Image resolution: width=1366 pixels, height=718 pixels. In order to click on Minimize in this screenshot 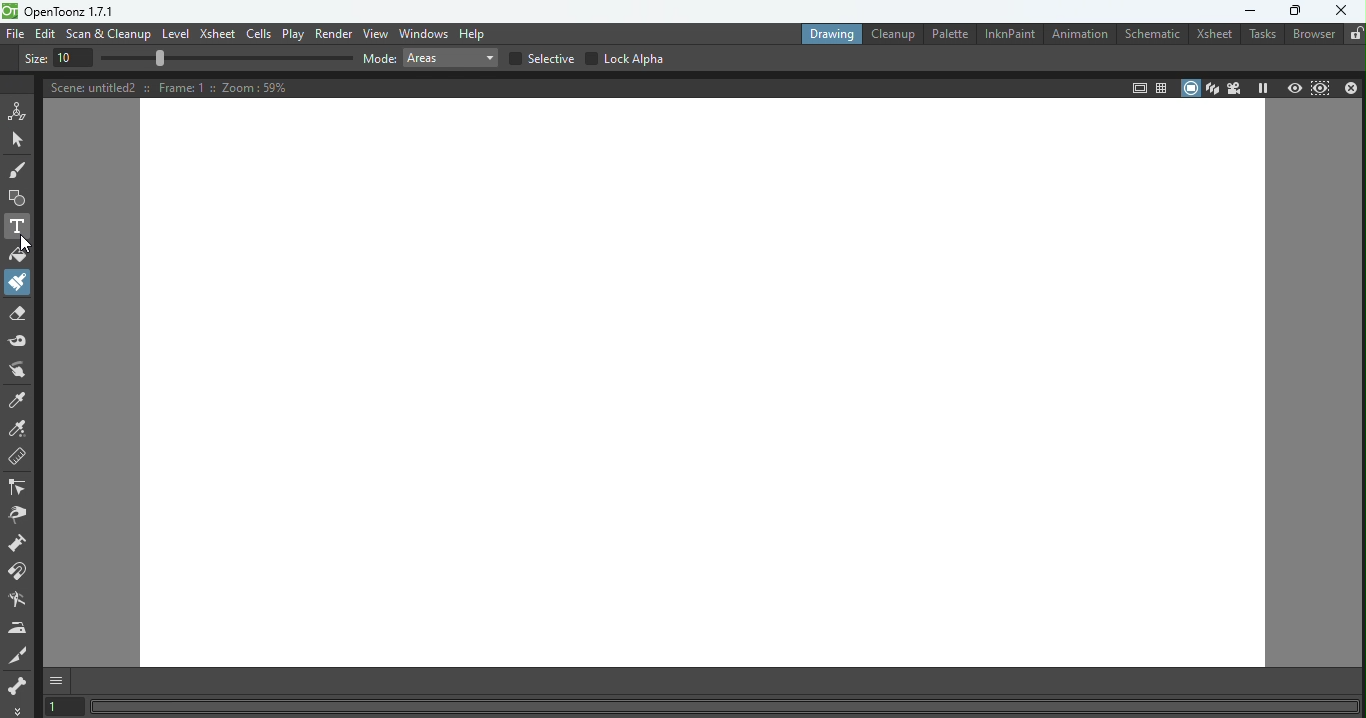, I will do `click(1251, 11)`.